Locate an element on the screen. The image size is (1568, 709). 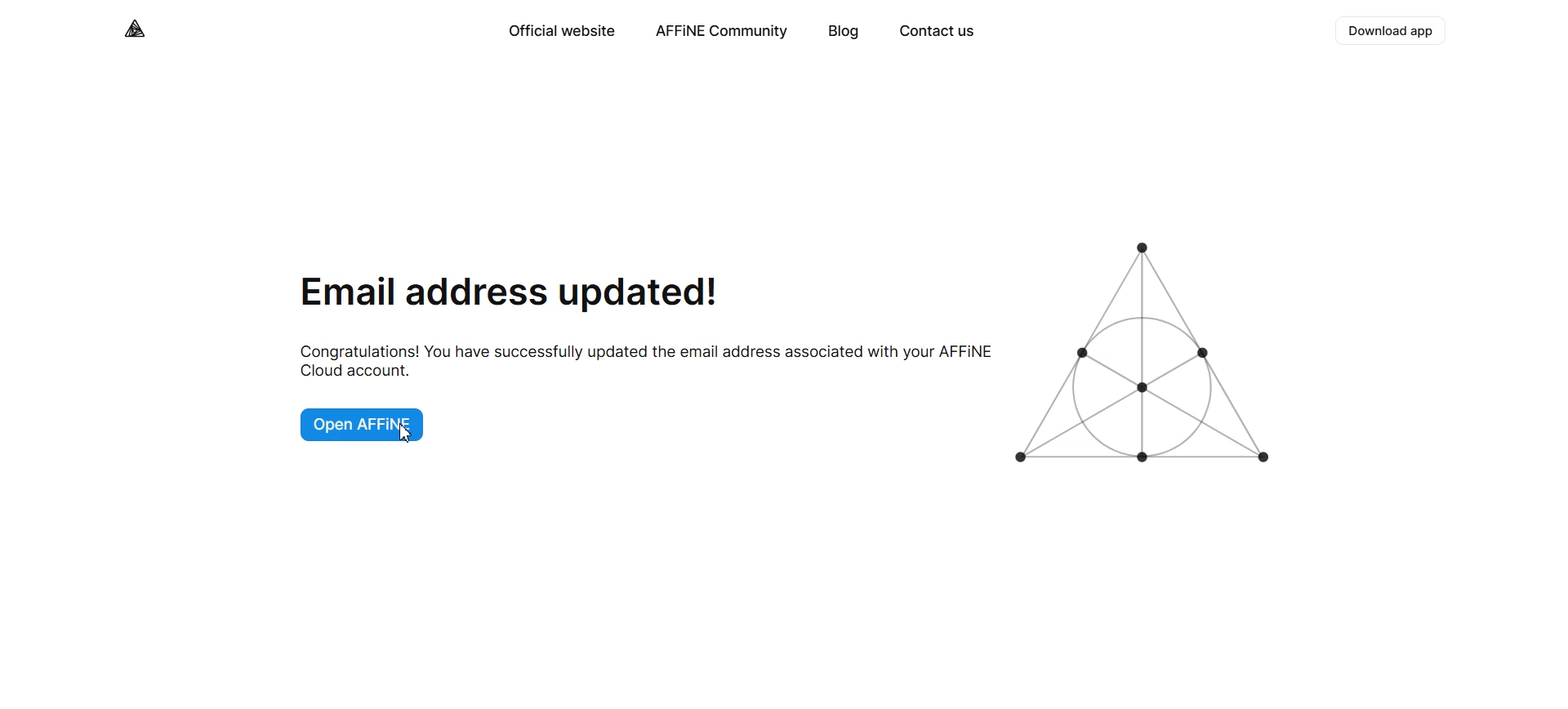
Logo is located at coordinates (136, 29).